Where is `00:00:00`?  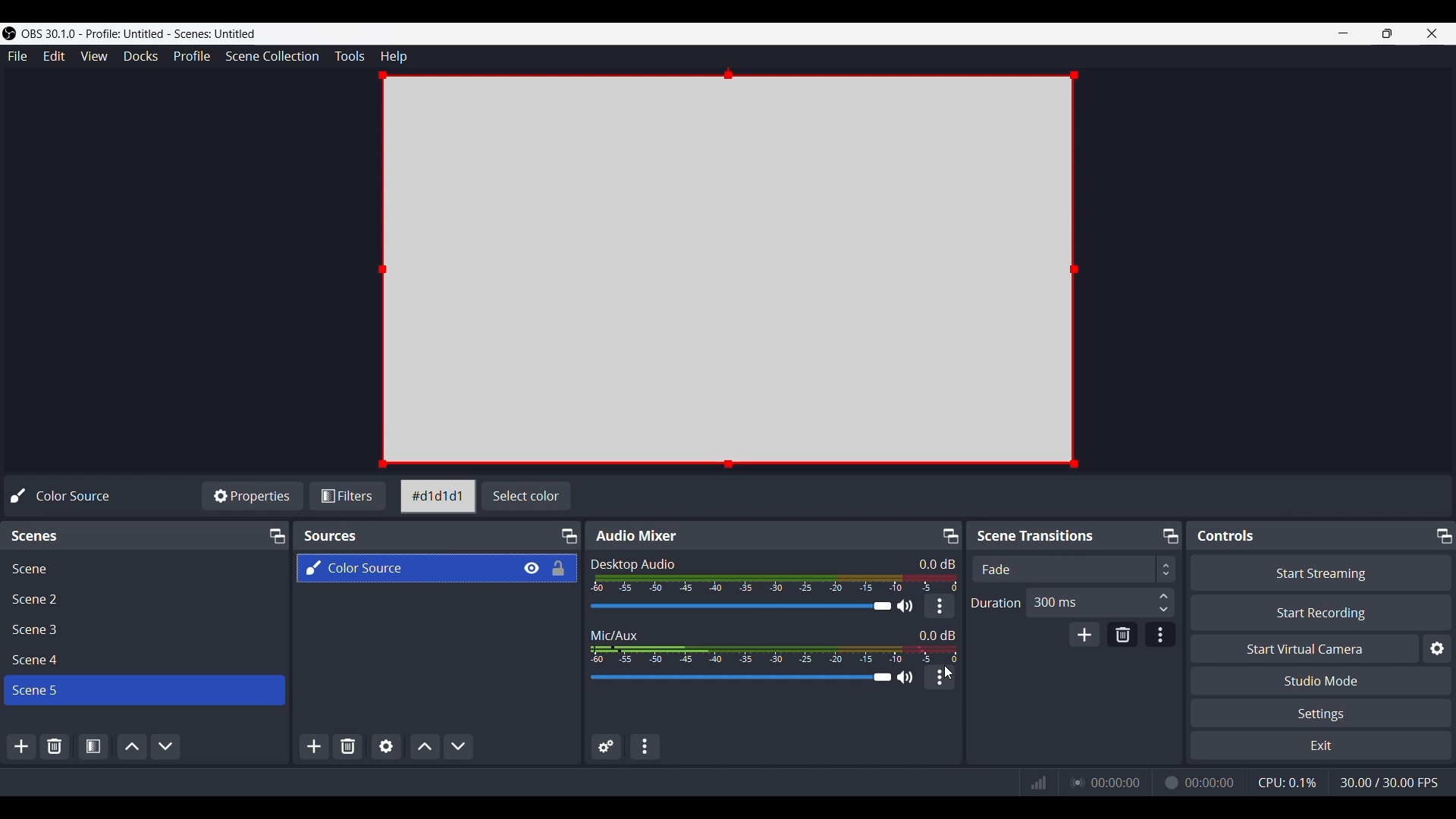 00:00:00 is located at coordinates (1211, 783).